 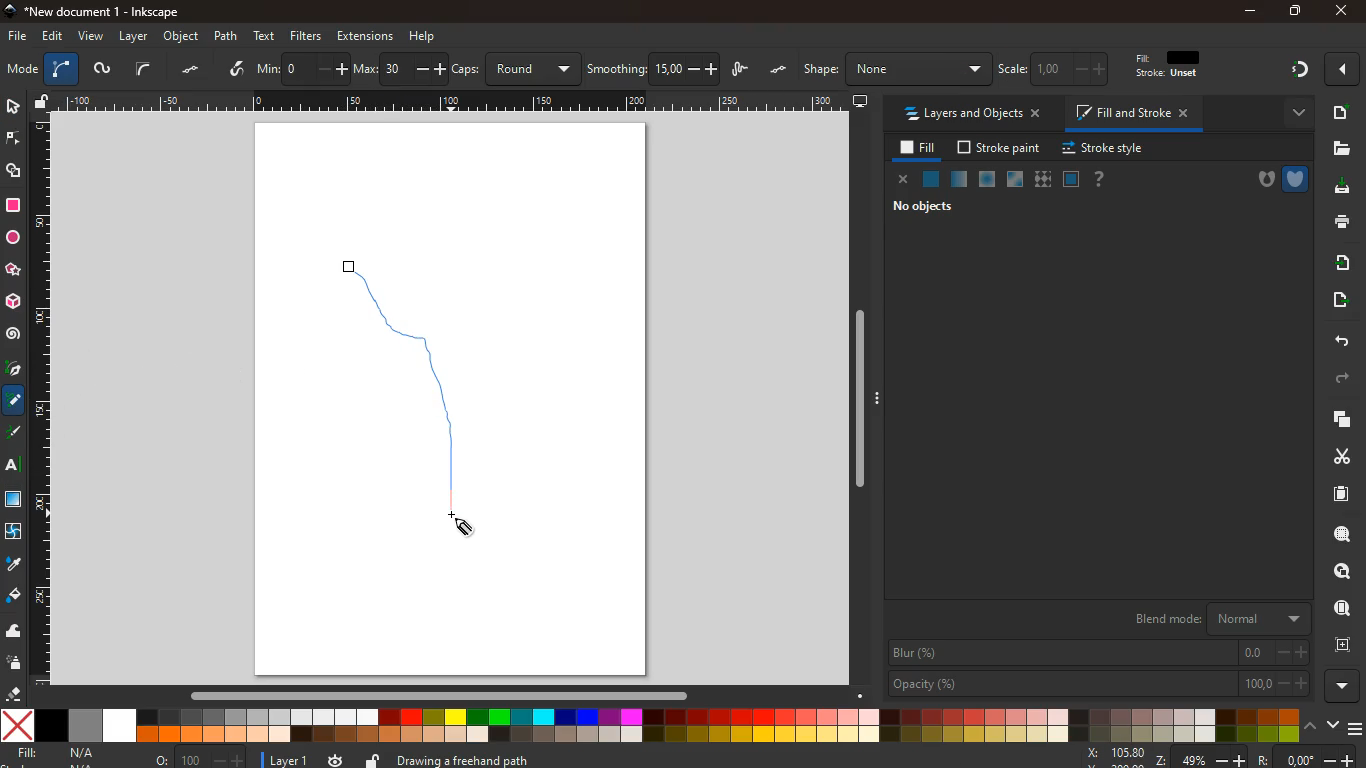 I want to click on download, so click(x=1339, y=189).